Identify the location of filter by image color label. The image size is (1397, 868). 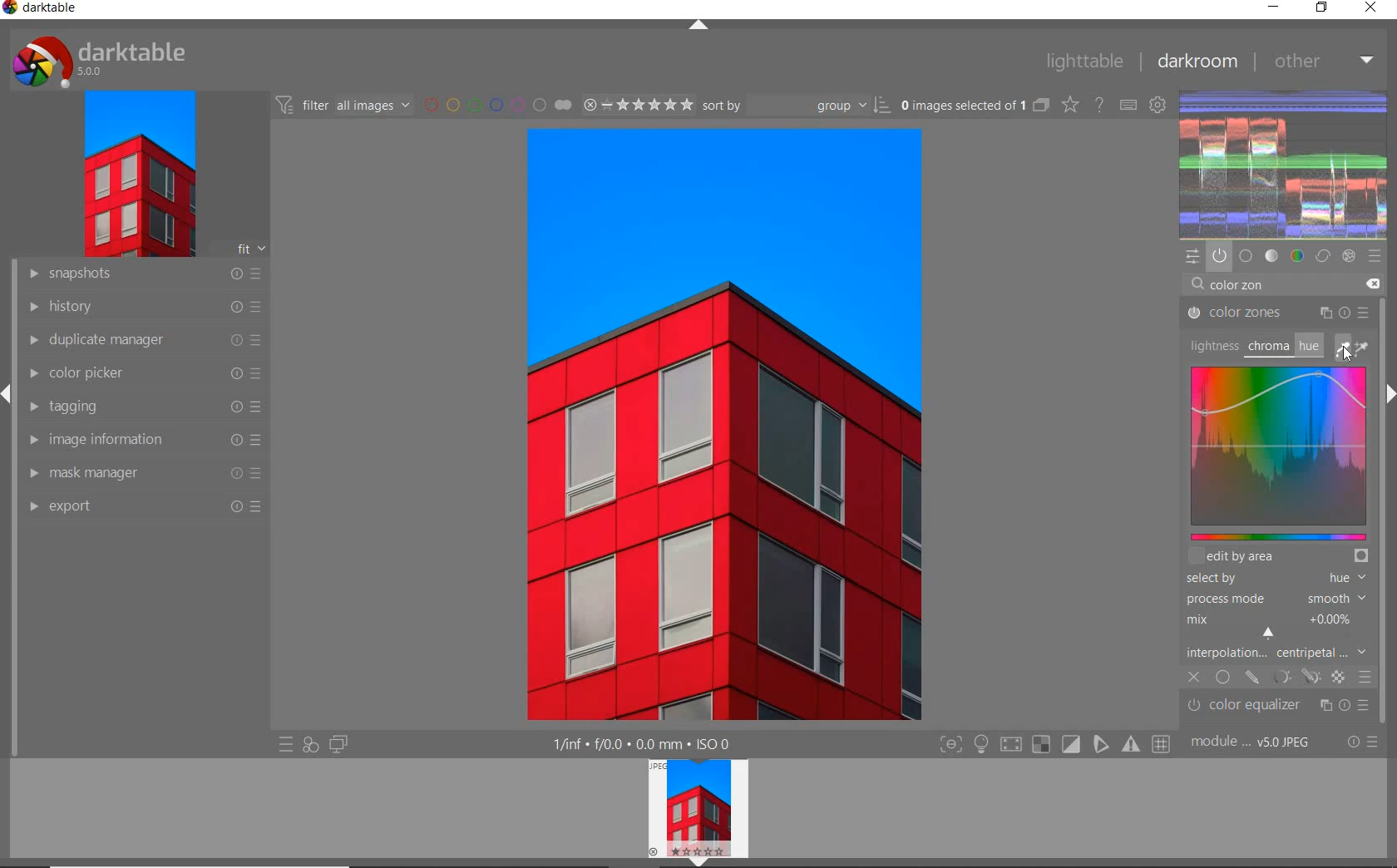
(497, 105).